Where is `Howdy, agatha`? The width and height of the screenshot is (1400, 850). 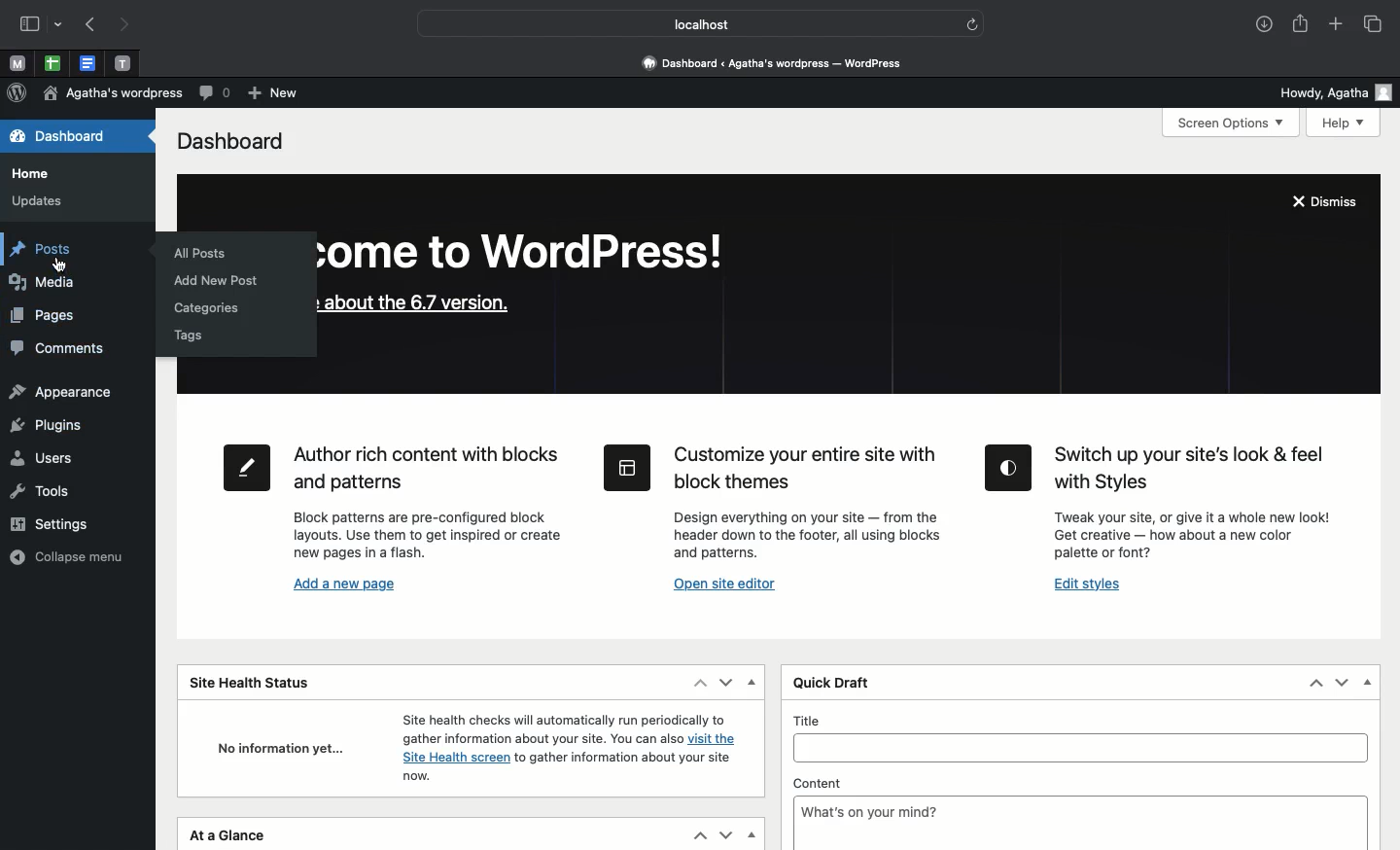
Howdy, agatha is located at coordinates (1334, 91).